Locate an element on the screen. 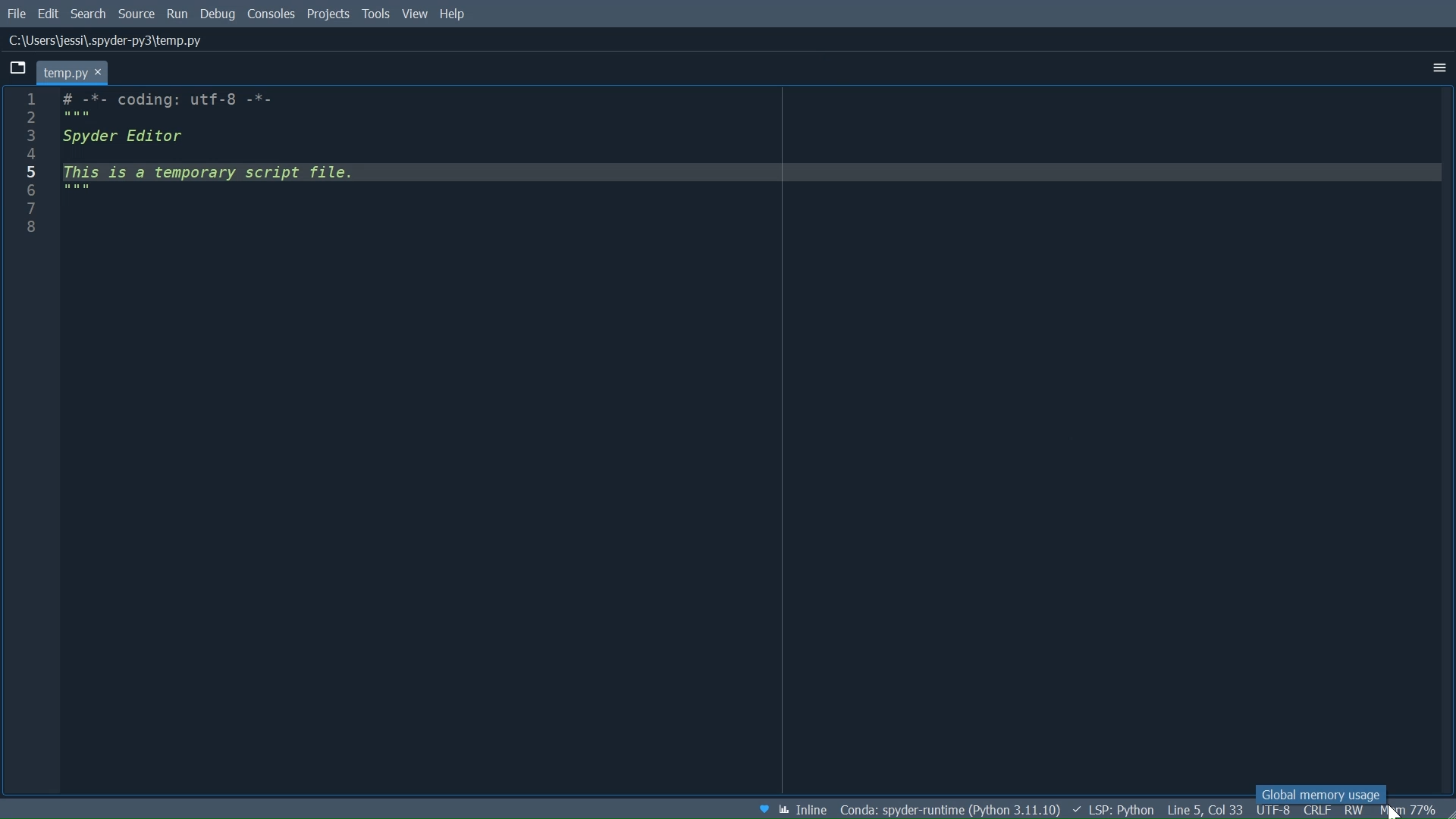  Toggle between inline and interactive Matplotlib plotting is located at coordinates (803, 809).